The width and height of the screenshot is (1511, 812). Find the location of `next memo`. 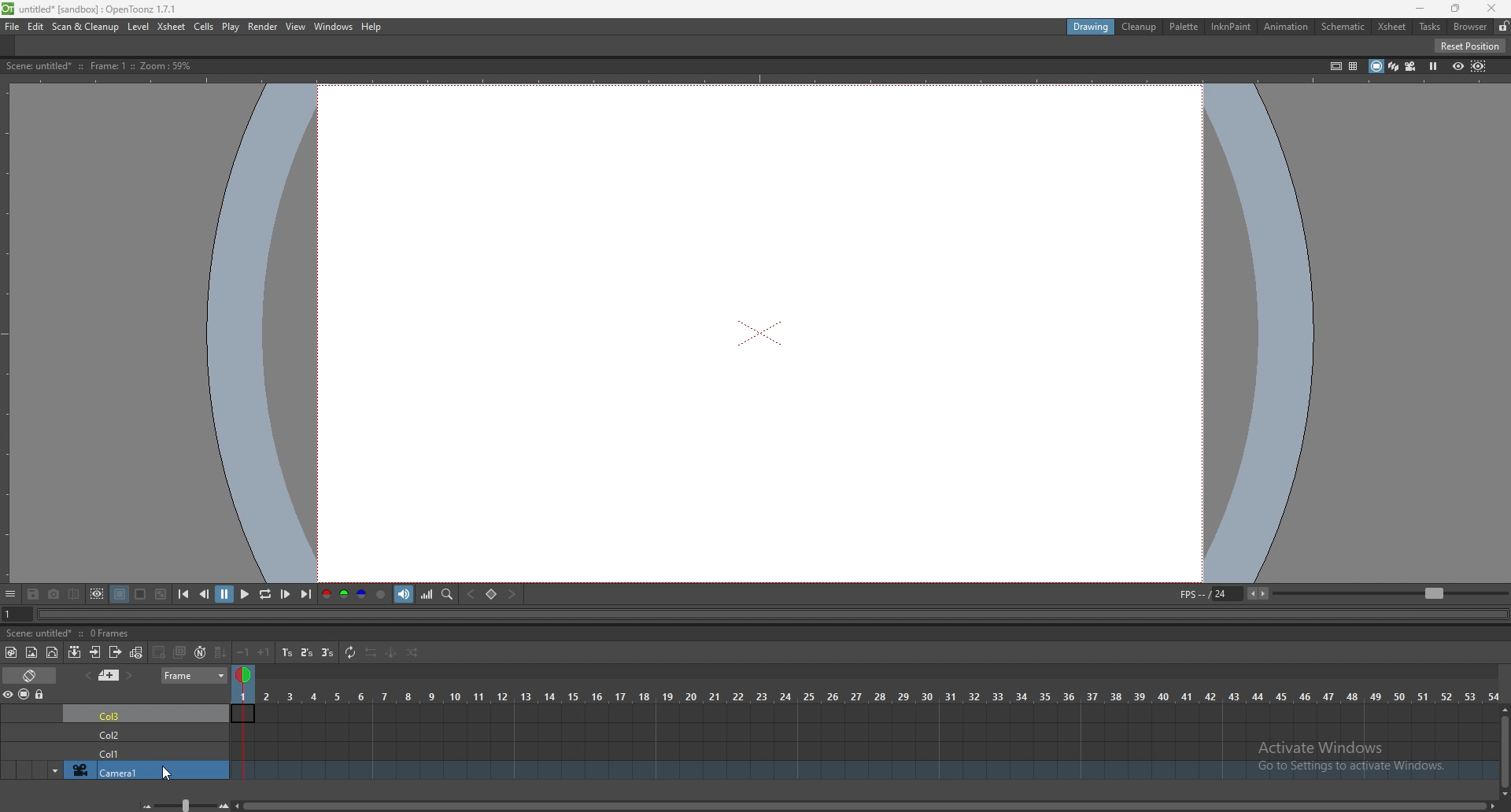

next memo is located at coordinates (128, 676).